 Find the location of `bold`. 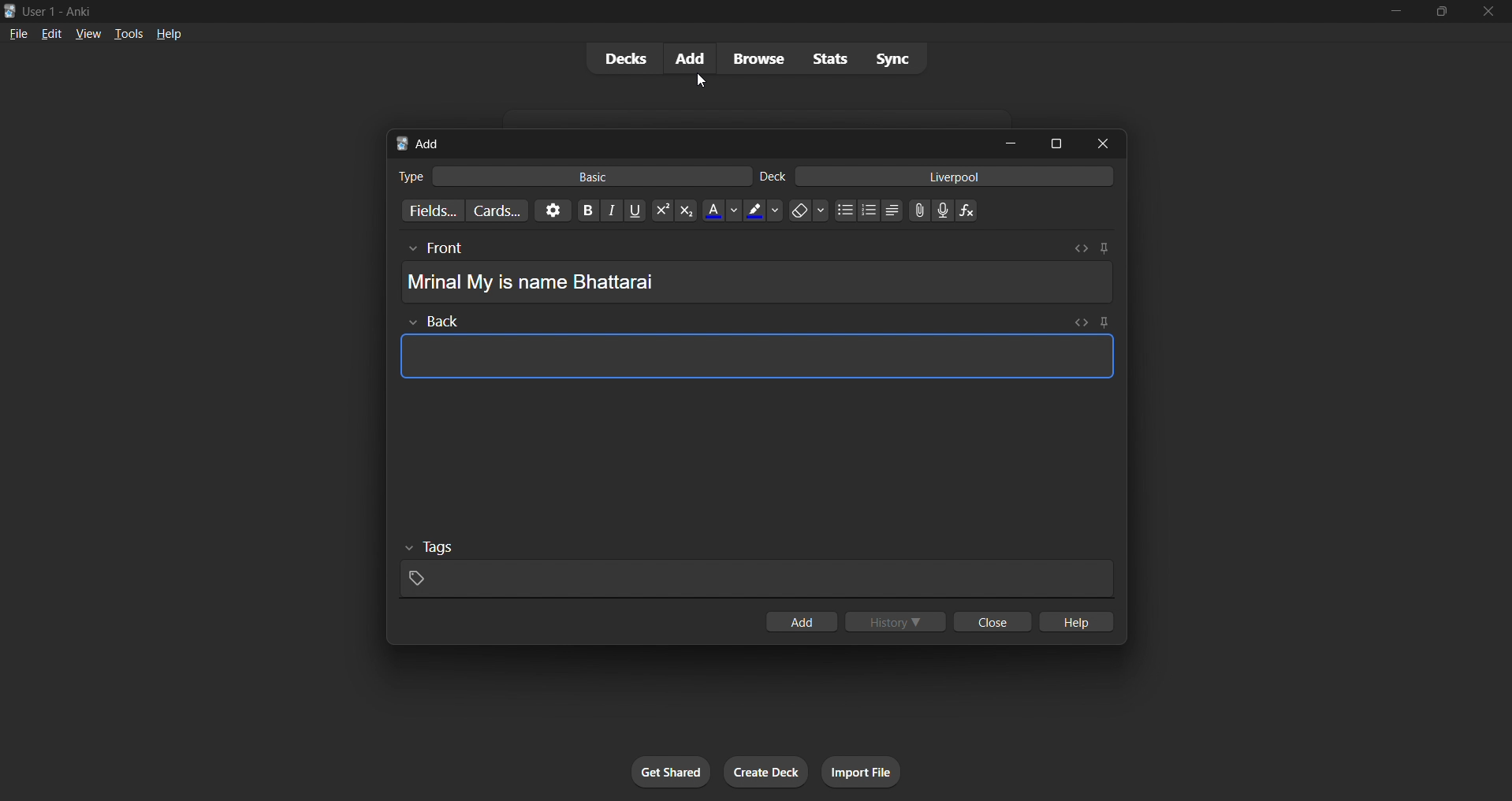

bold is located at coordinates (582, 209).